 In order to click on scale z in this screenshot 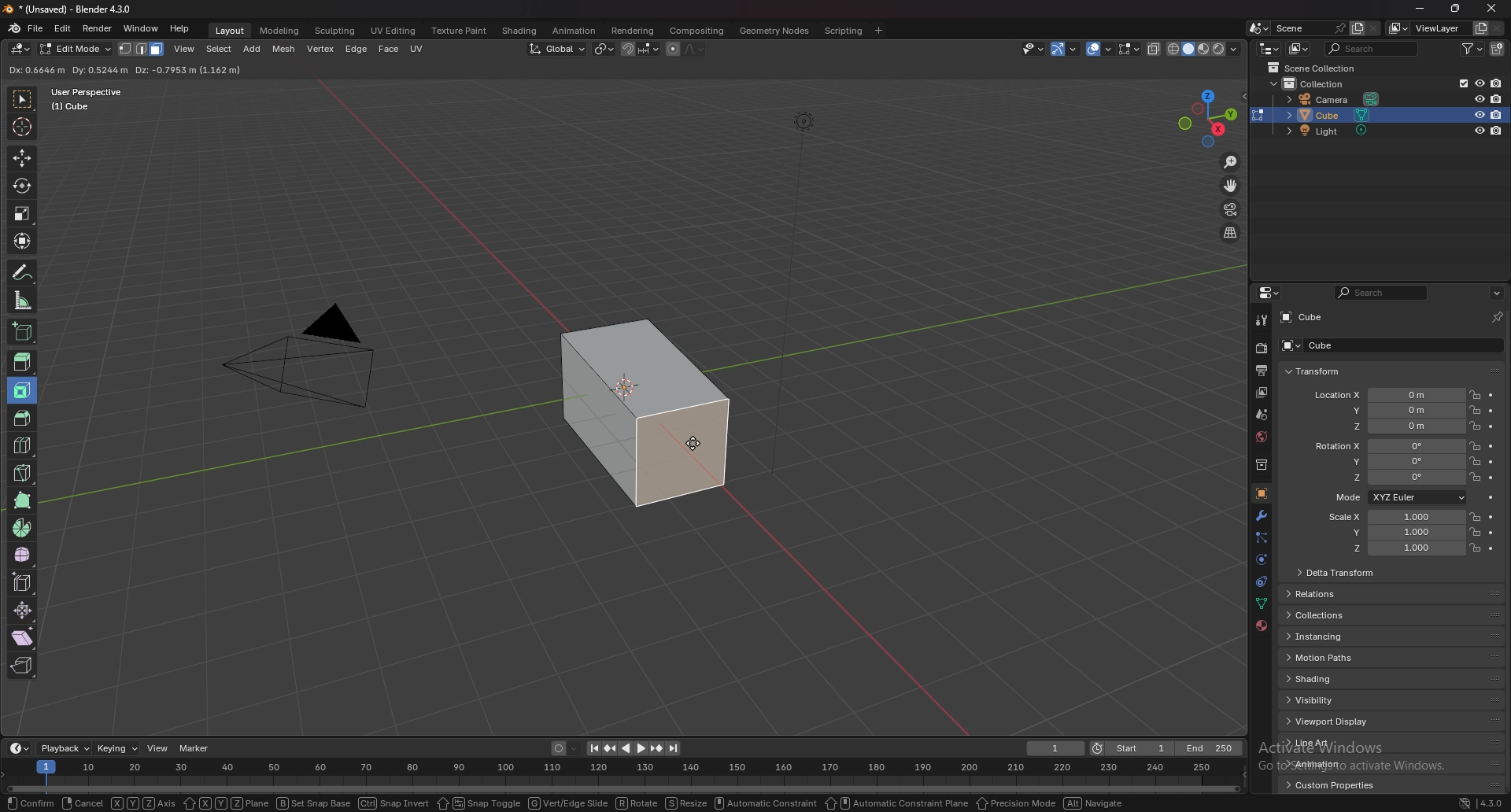, I will do `click(1395, 548)`.